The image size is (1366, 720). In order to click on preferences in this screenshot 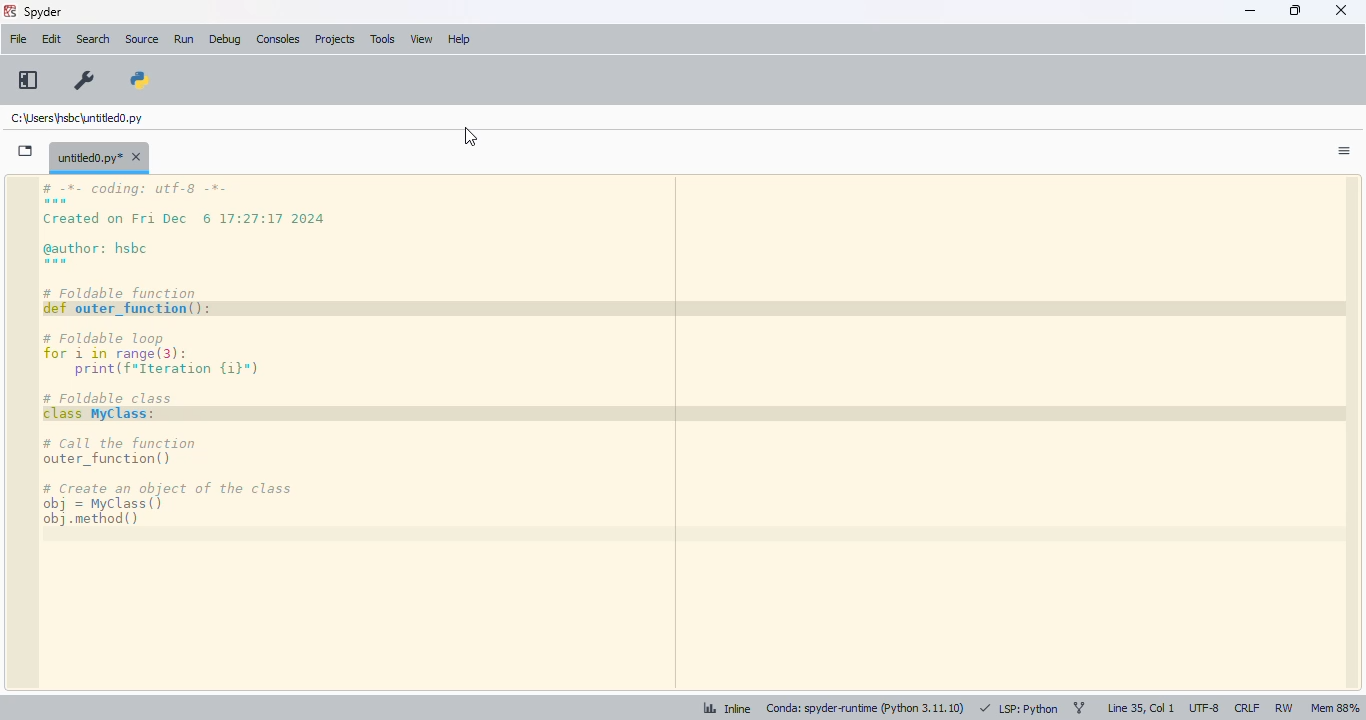, I will do `click(85, 79)`.